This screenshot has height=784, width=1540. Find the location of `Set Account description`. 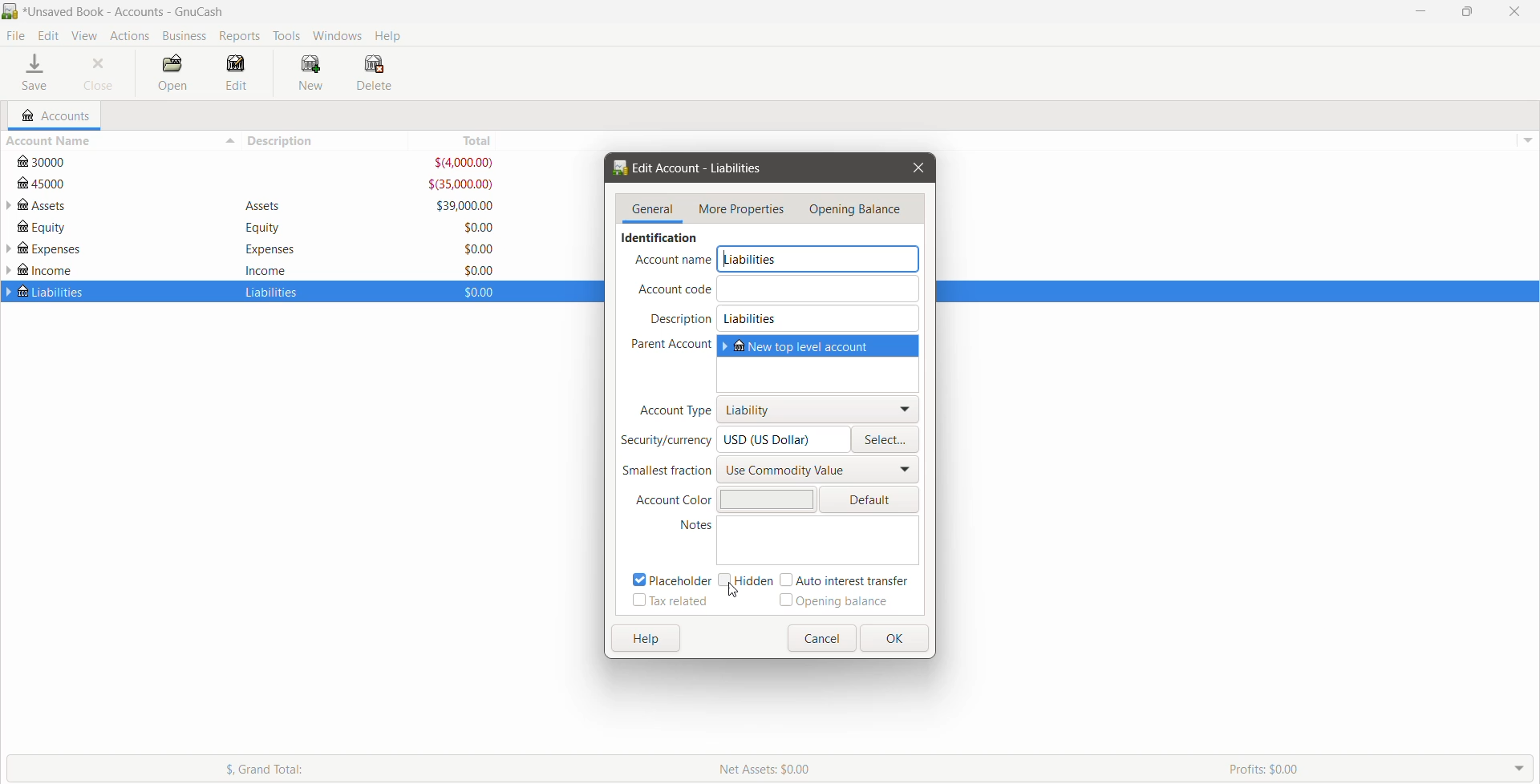

Set Account description is located at coordinates (820, 318).